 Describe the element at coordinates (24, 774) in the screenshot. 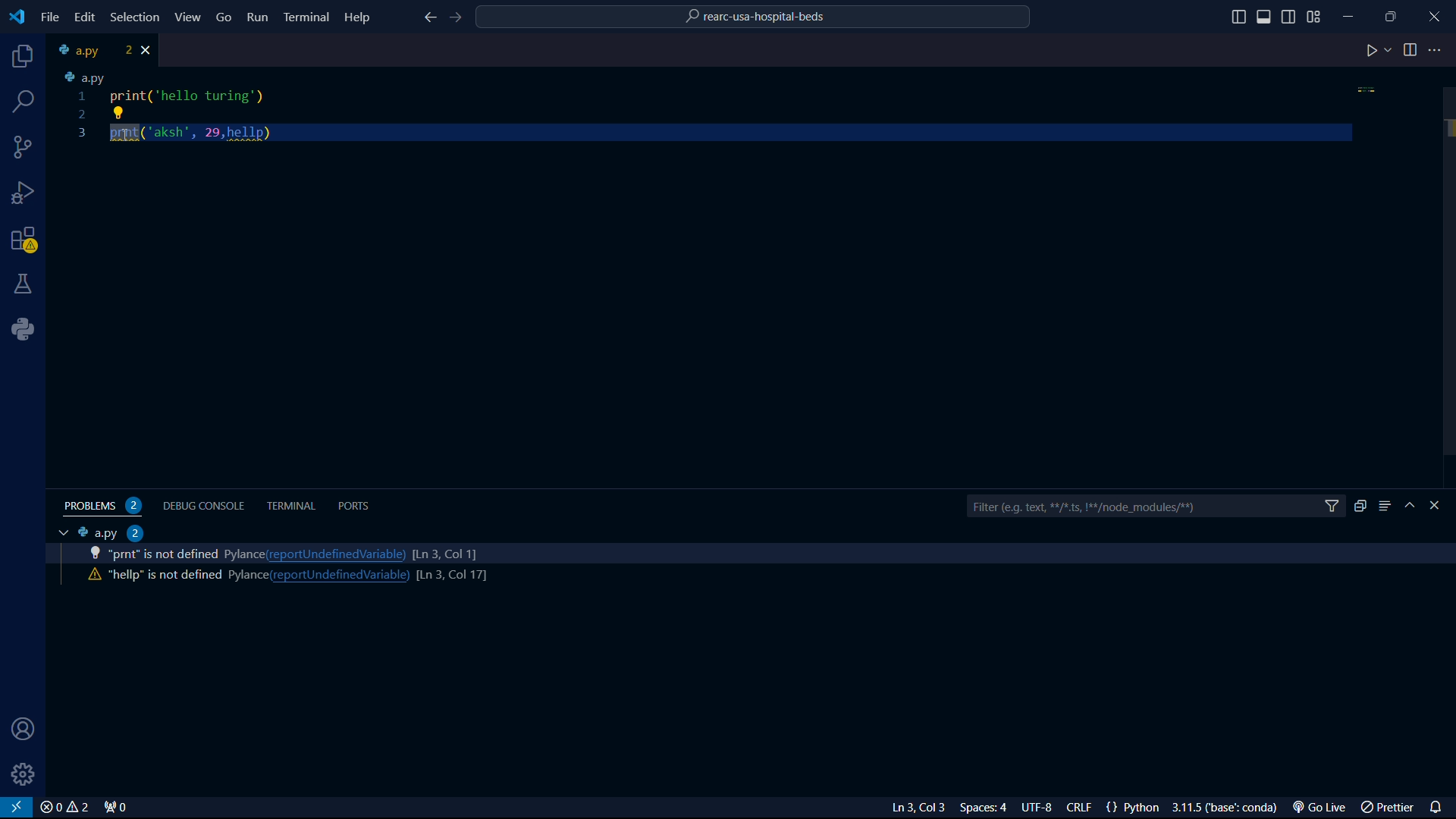

I see `settings` at that location.